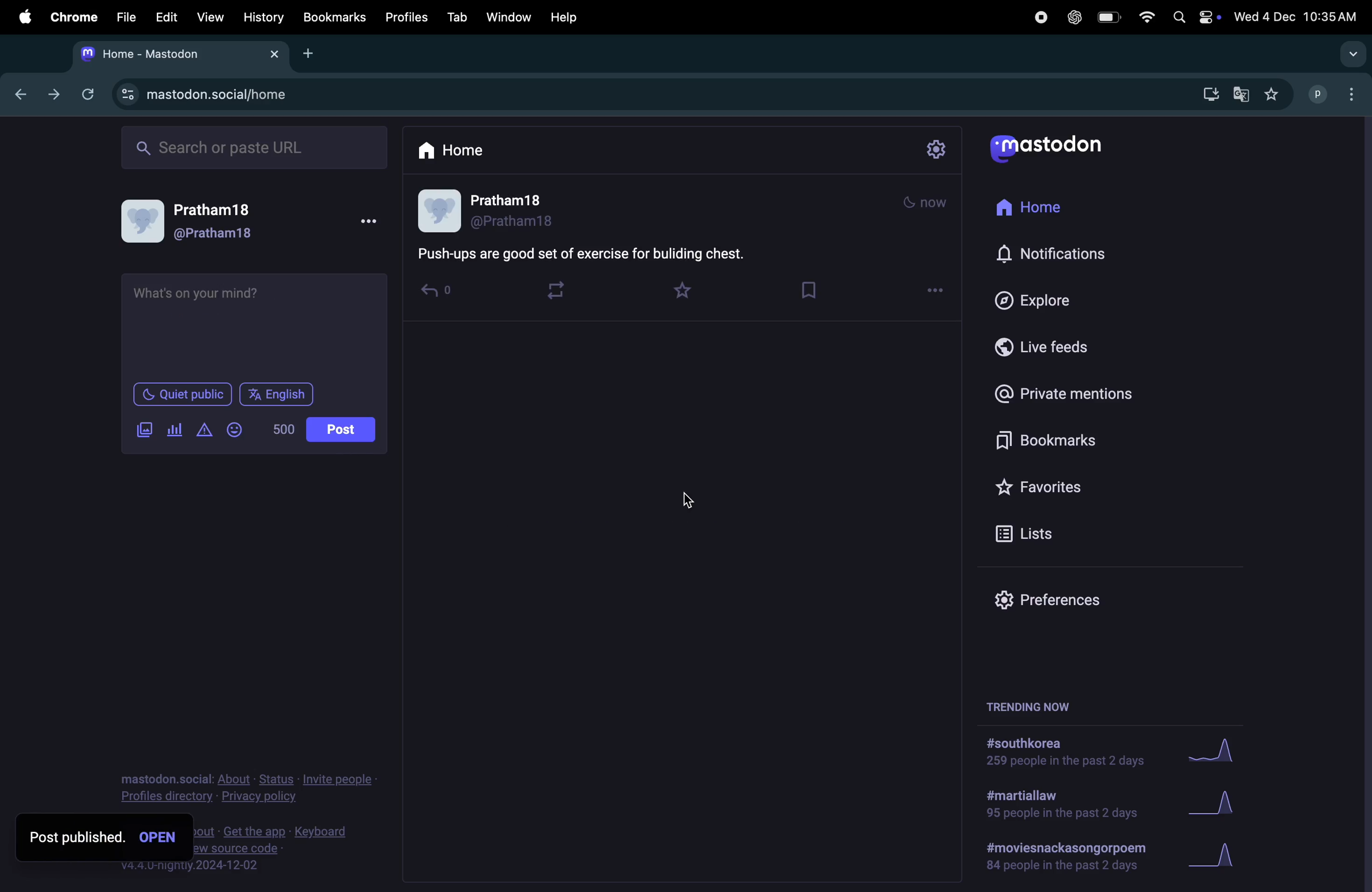  Describe the element at coordinates (257, 147) in the screenshot. I see `Search or paste url` at that location.